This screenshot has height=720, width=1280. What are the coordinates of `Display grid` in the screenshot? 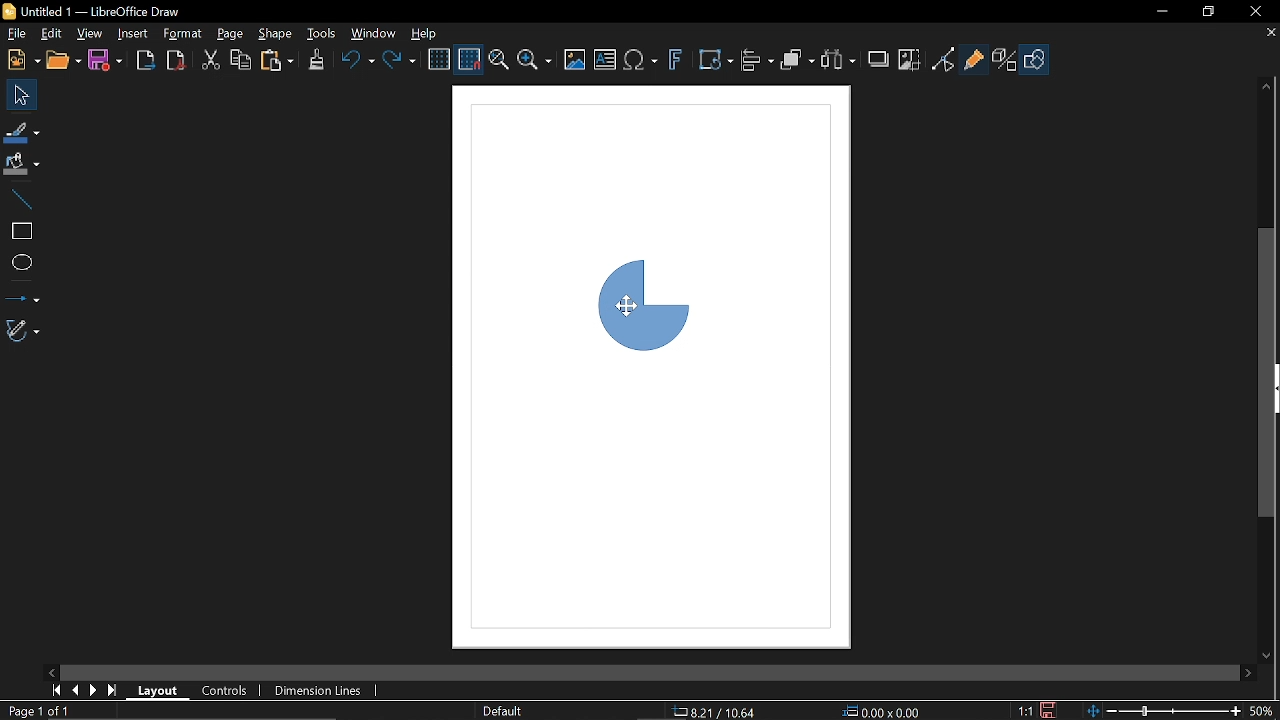 It's located at (440, 62).